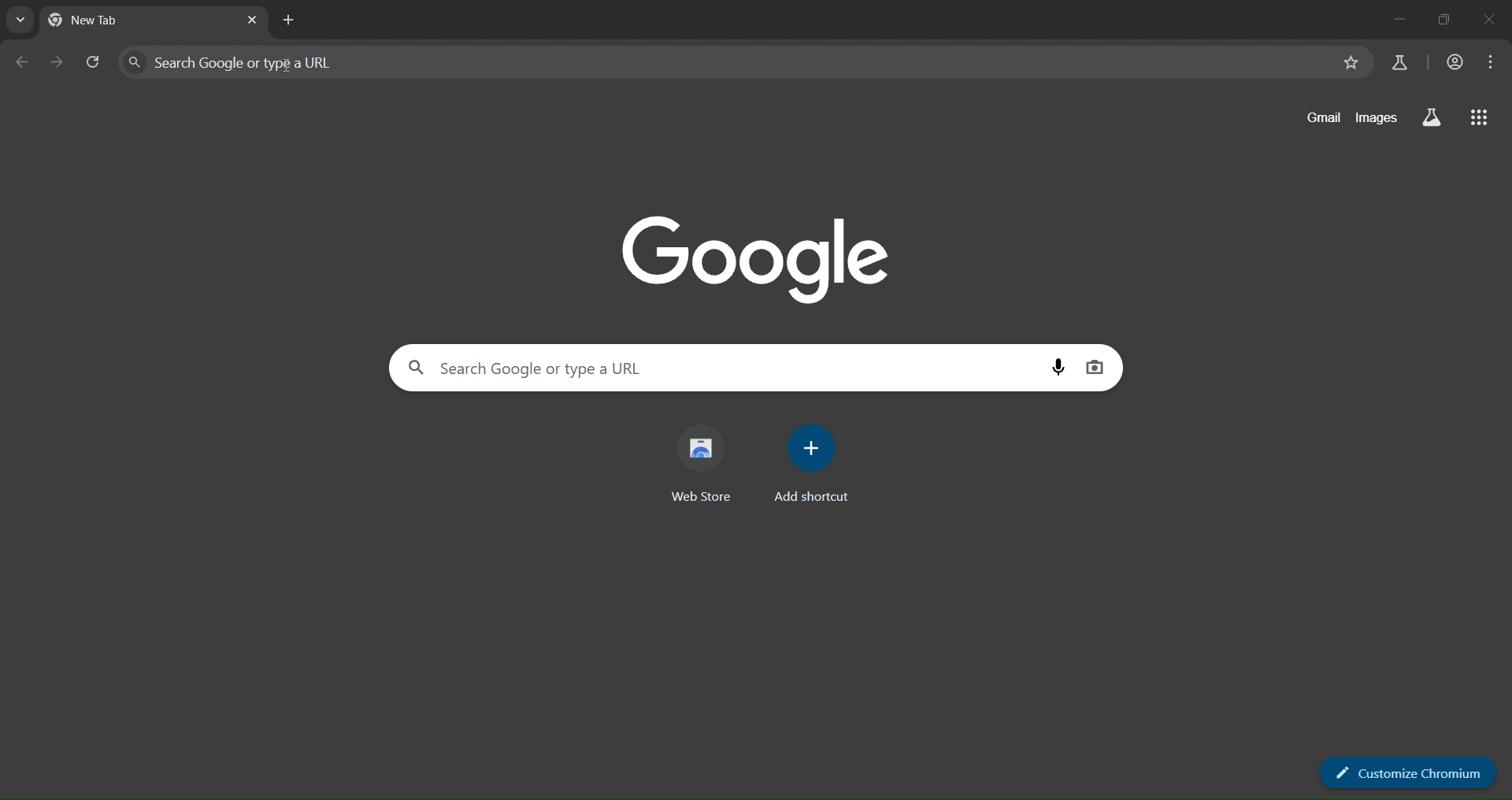  Describe the element at coordinates (1095, 369) in the screenshot. I see `image search` at that location.